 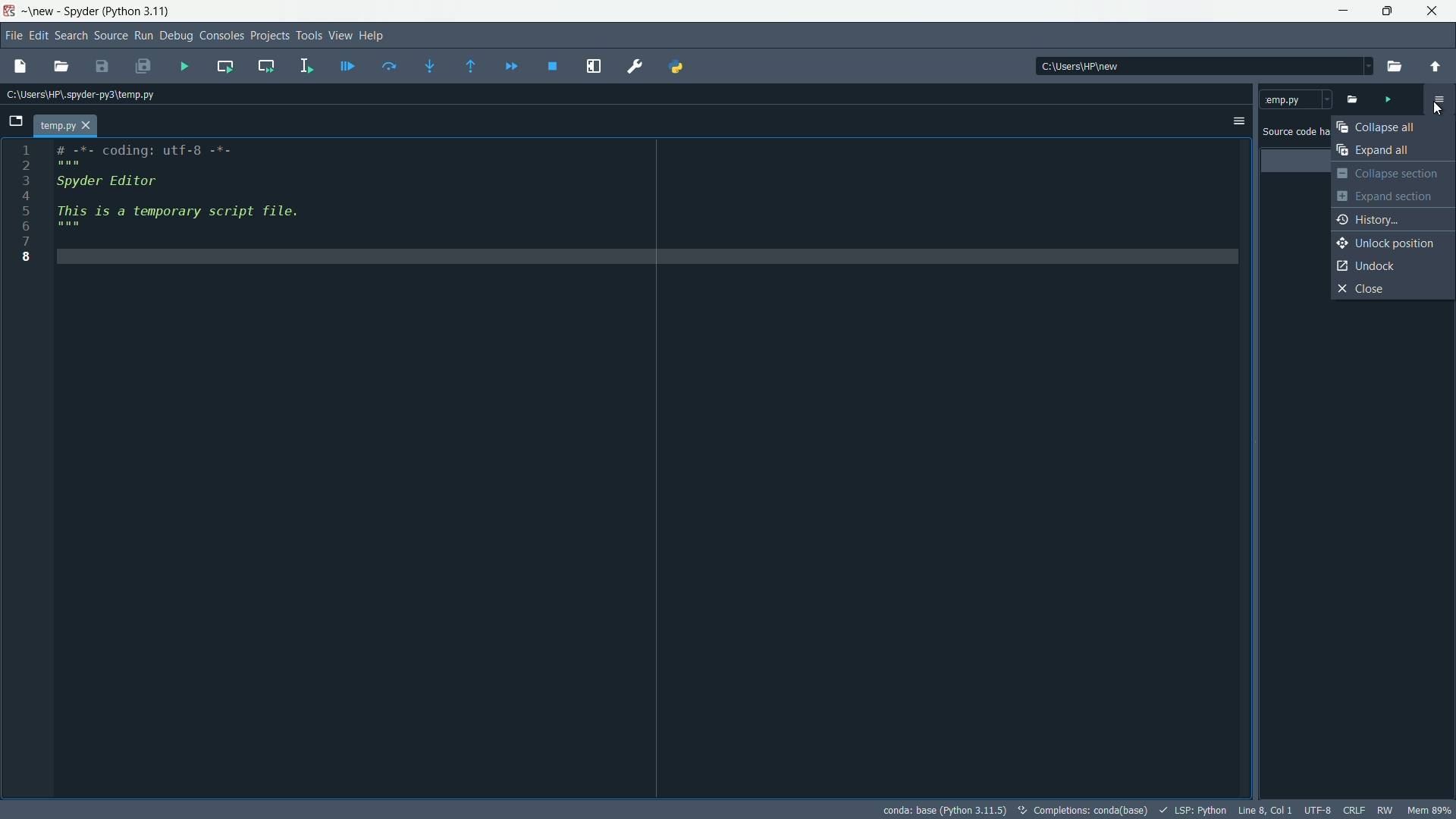 I want to click on file encoding, so click(x=1317, y=809).